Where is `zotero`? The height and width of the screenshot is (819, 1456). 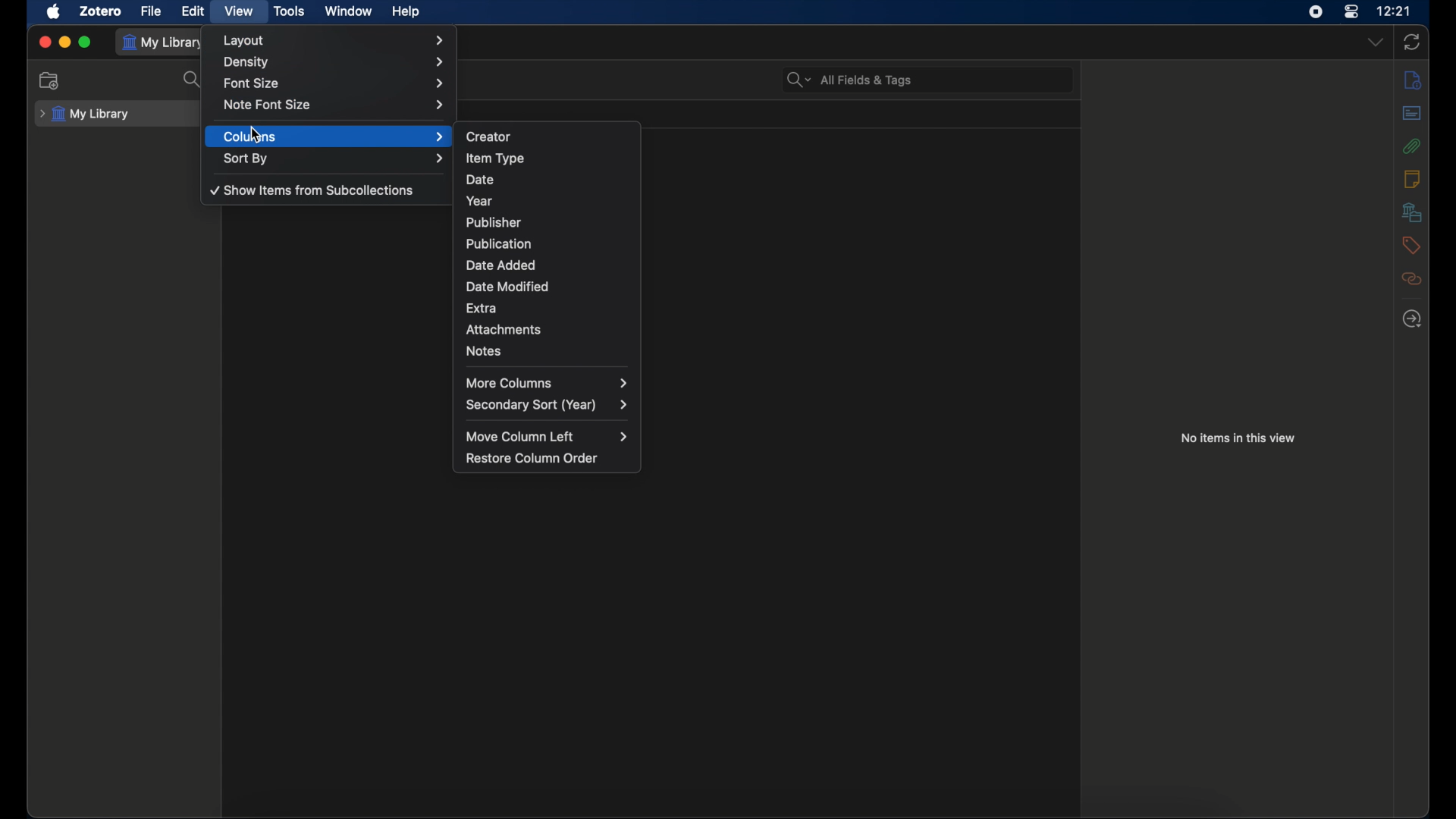 zotero is located at coordinates (100, 11).